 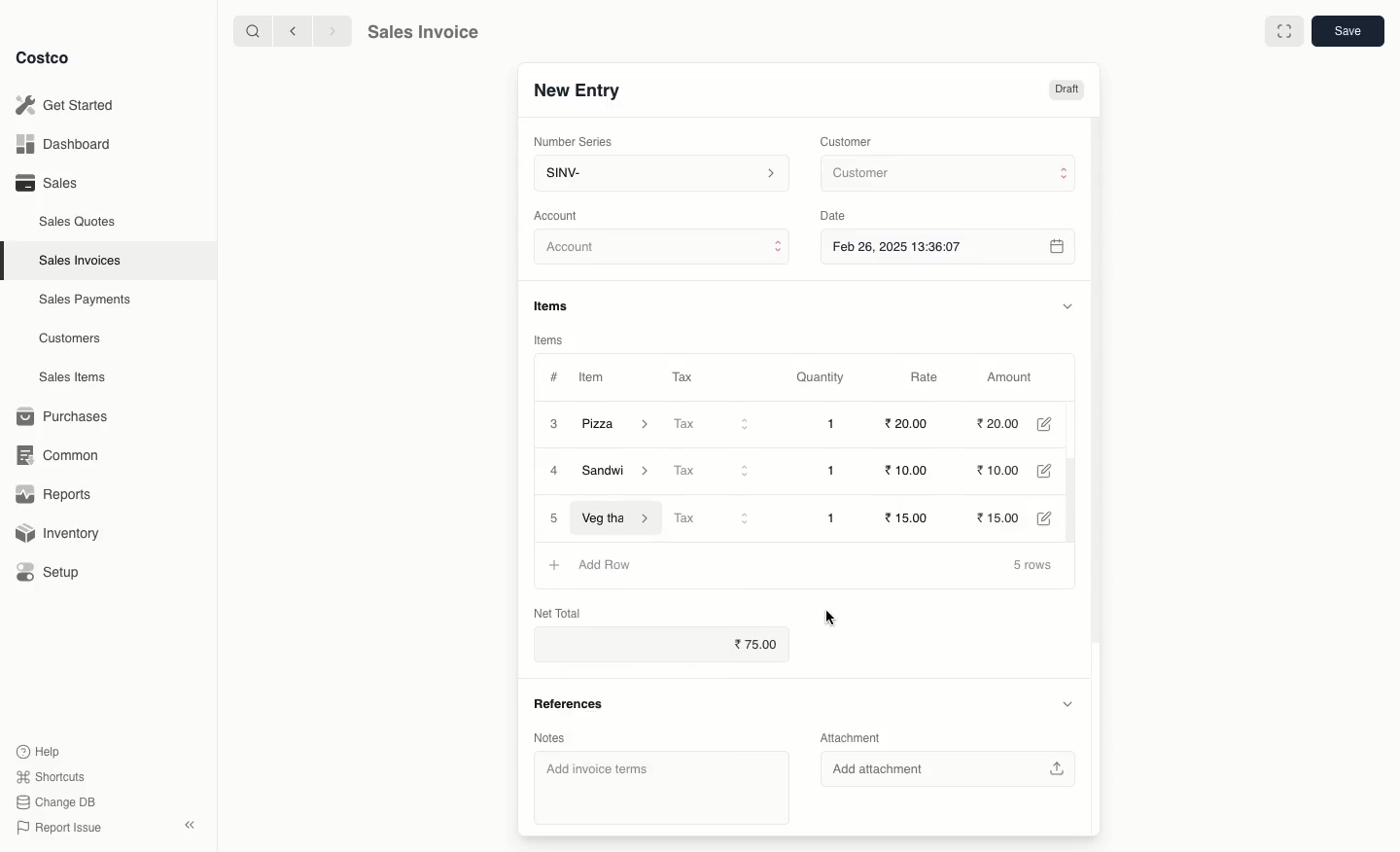 I want to click on Item, so click(x=594, y=379).